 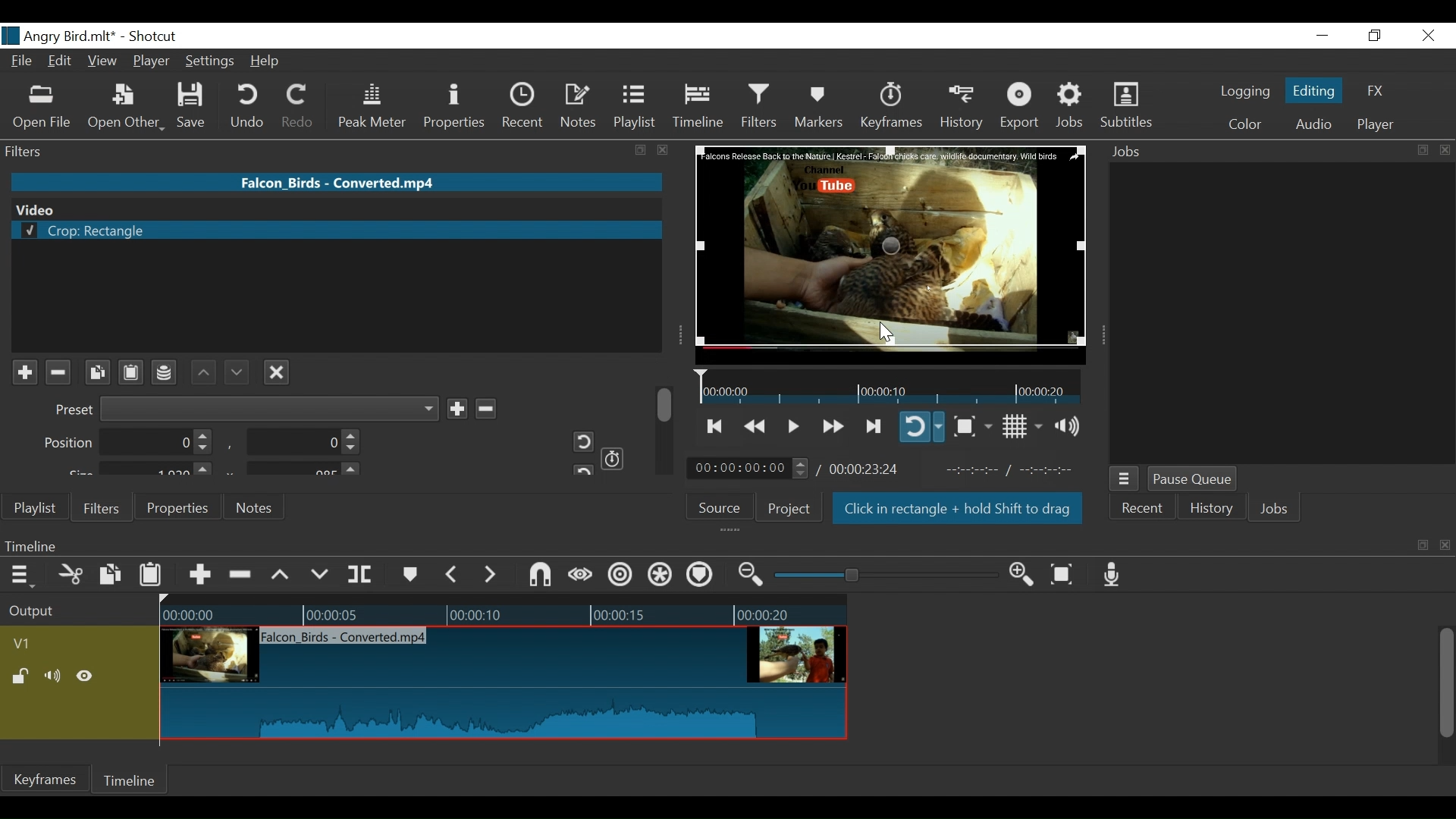 What do you see at coordinates (1282, 312) in the screenshot?
I see `Jobs Panel` at bounding box center [1282, 312].